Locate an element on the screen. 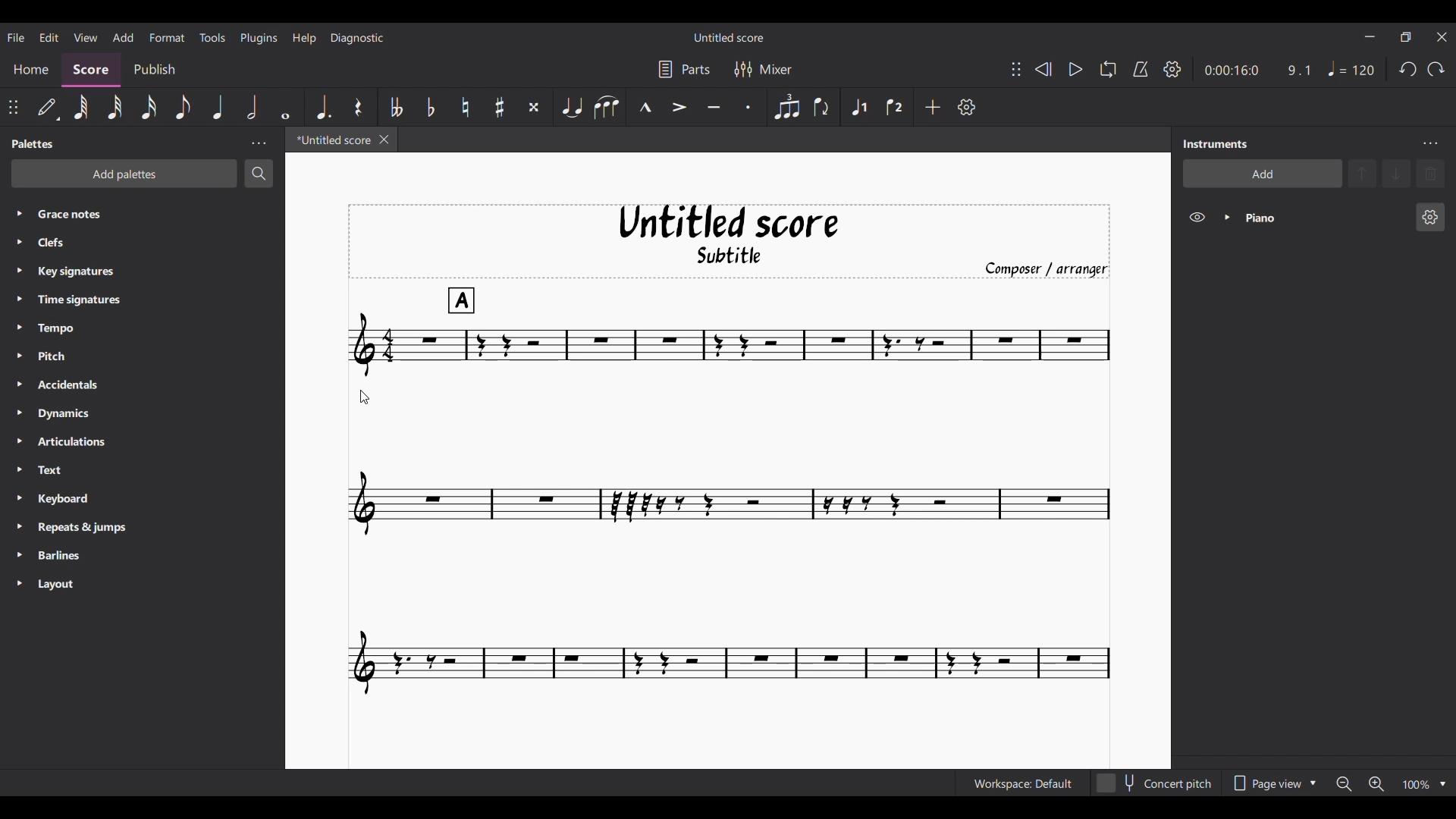 The width and height of the screenshot is (1456, 819). Rest is located at coordinates (358, 107).